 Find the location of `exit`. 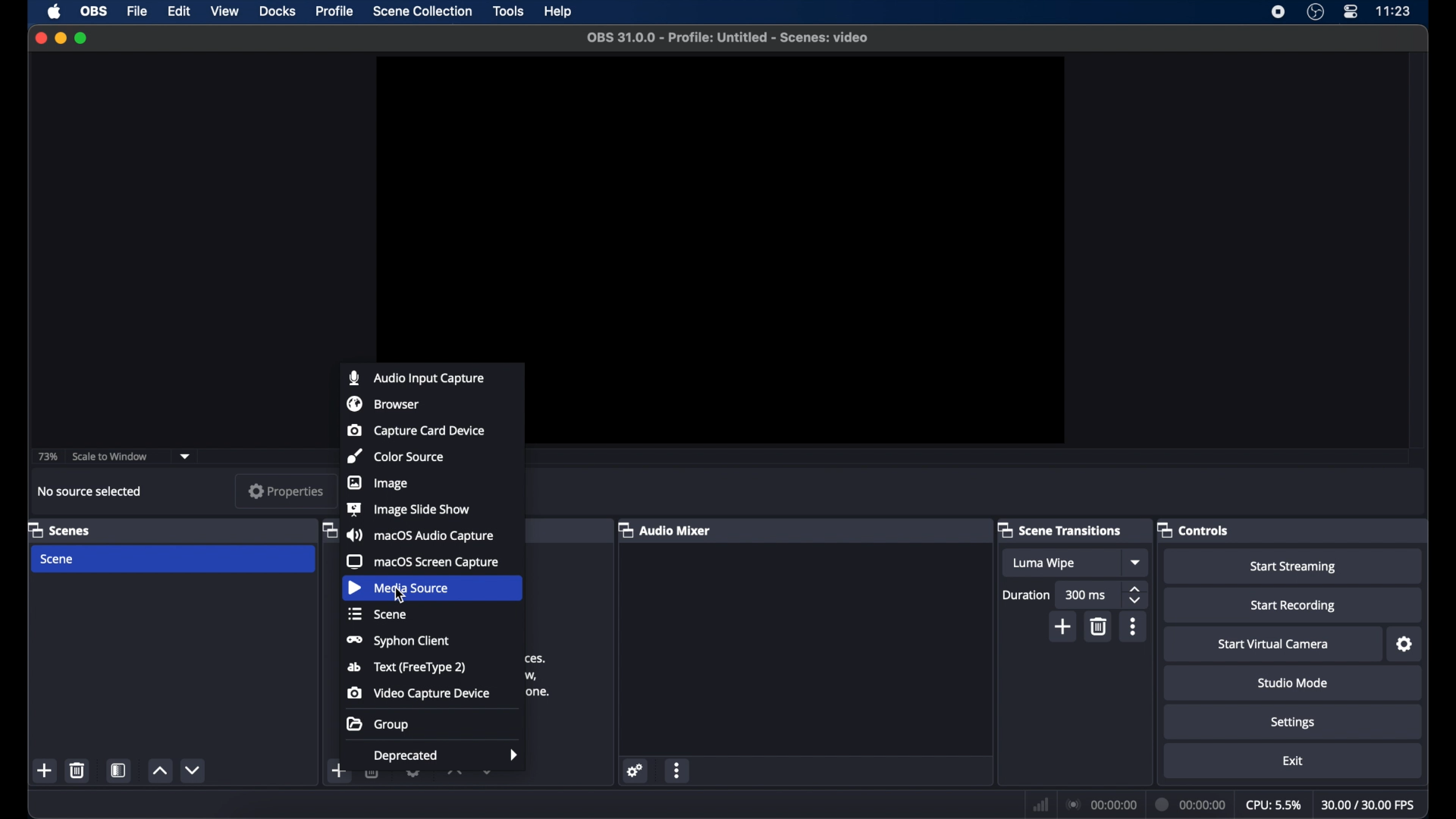

exit is located at coordinates (1294, 761).